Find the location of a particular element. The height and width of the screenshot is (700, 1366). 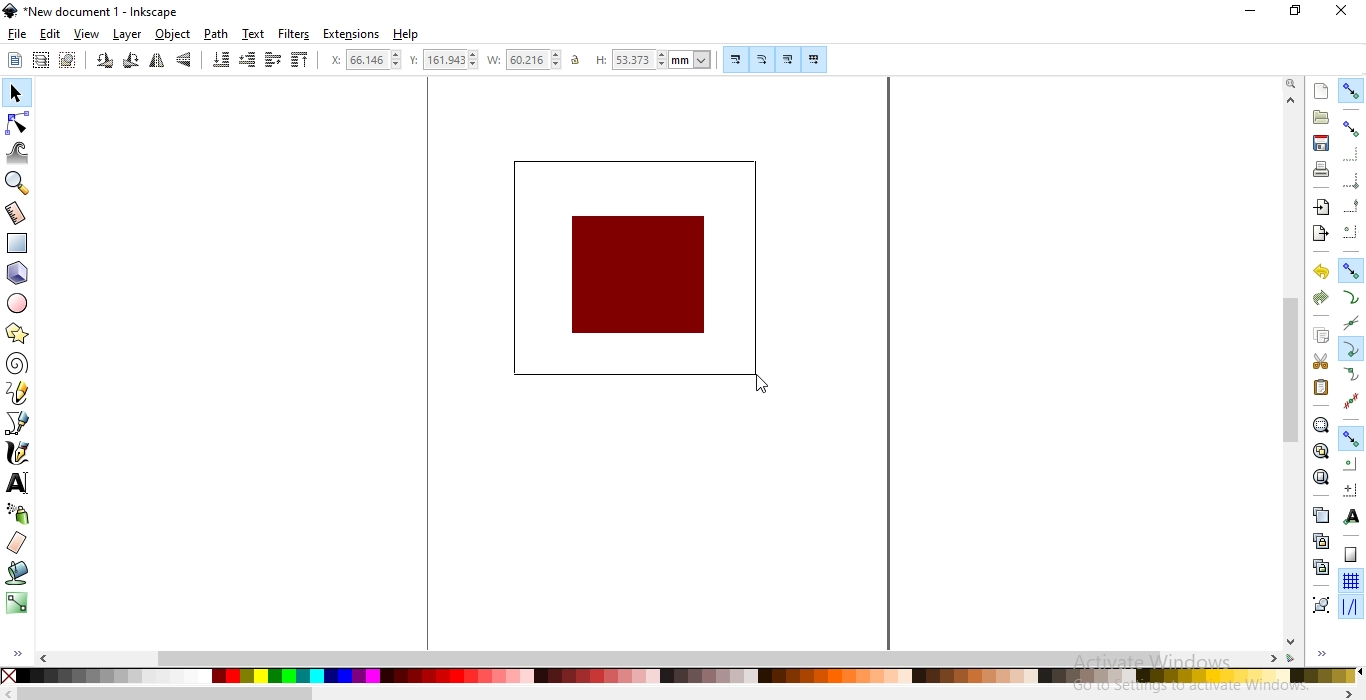

create duplicate is located at coordinates (1321, 514).